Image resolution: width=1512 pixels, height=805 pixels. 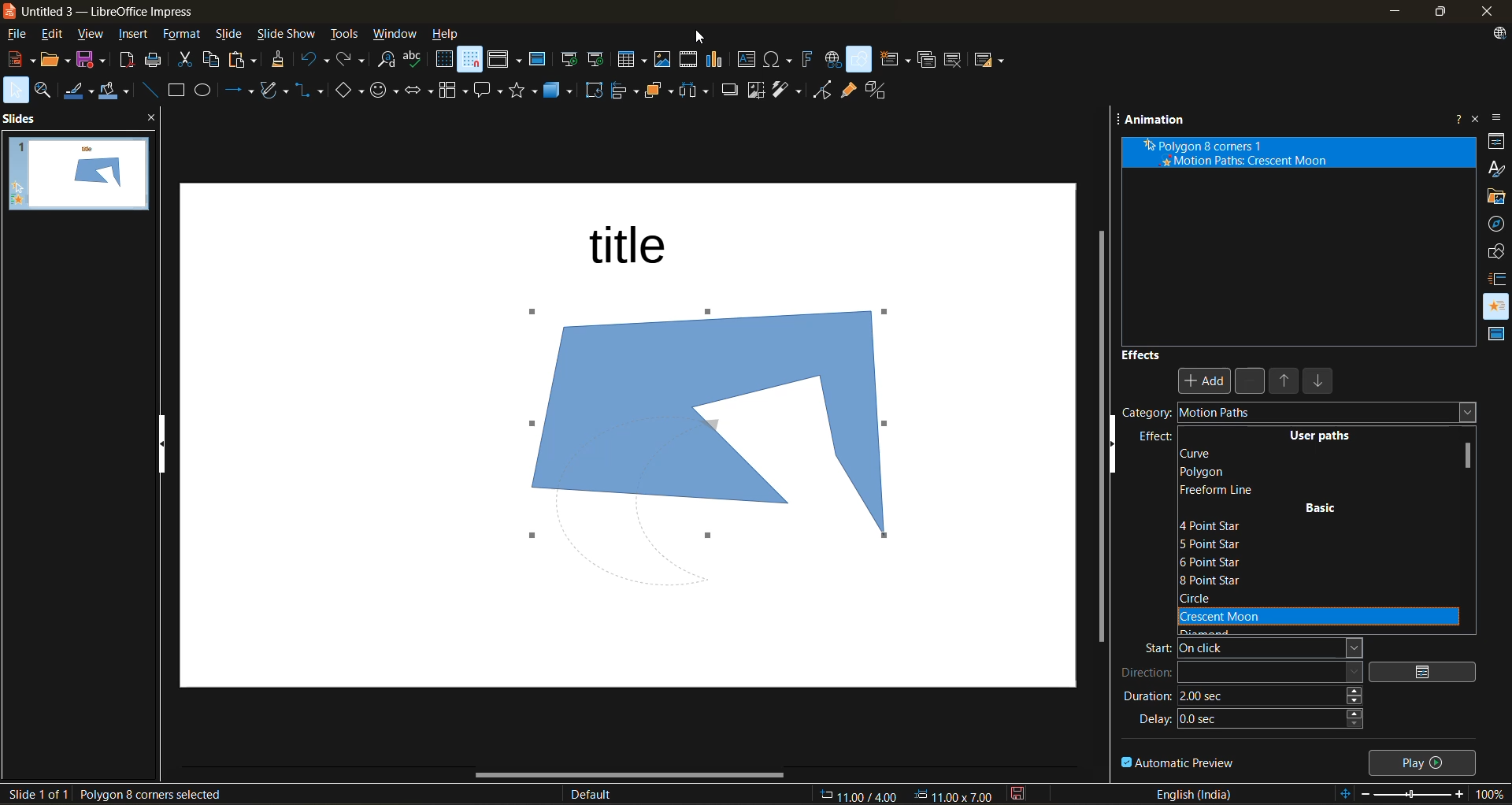 I want to click on cut, so click(x=187, y=61).